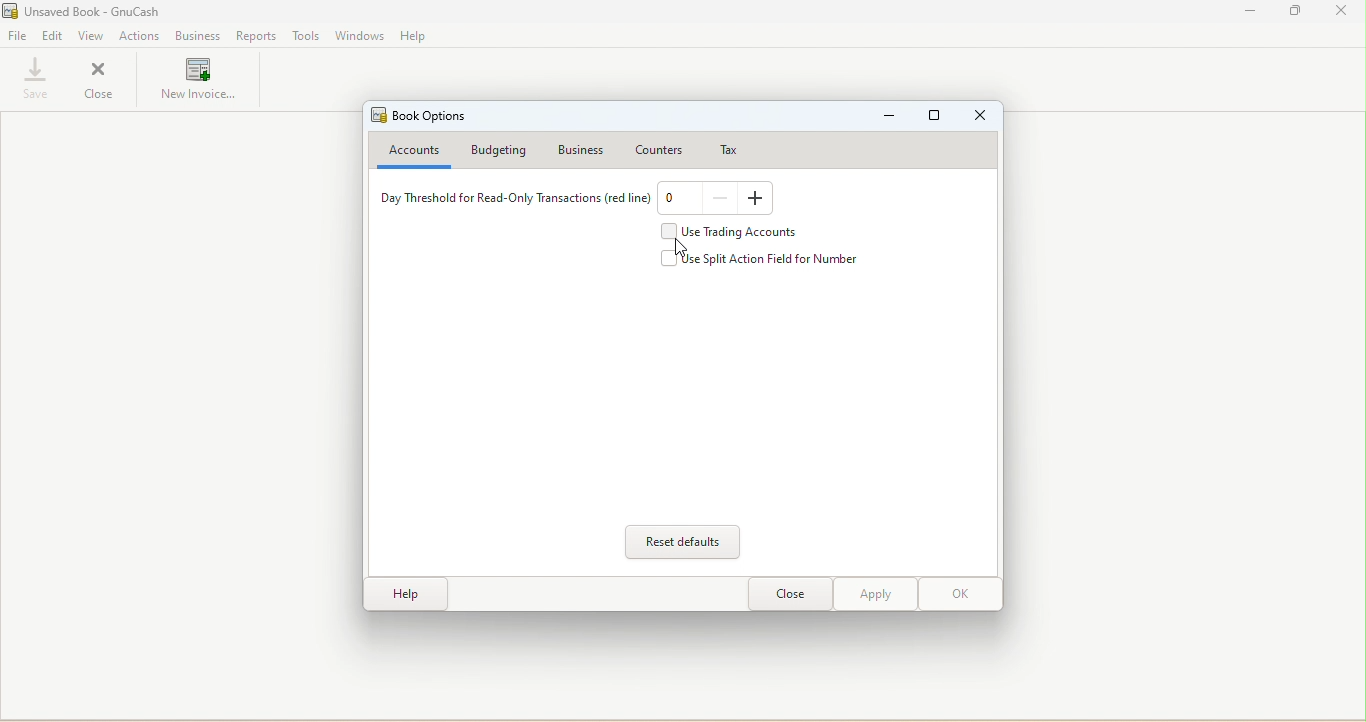 The image size is (1366, 722). What do you see at coordinates (31, 78) in the screenshot?
I see `Save` at bounding box center [31, 78].